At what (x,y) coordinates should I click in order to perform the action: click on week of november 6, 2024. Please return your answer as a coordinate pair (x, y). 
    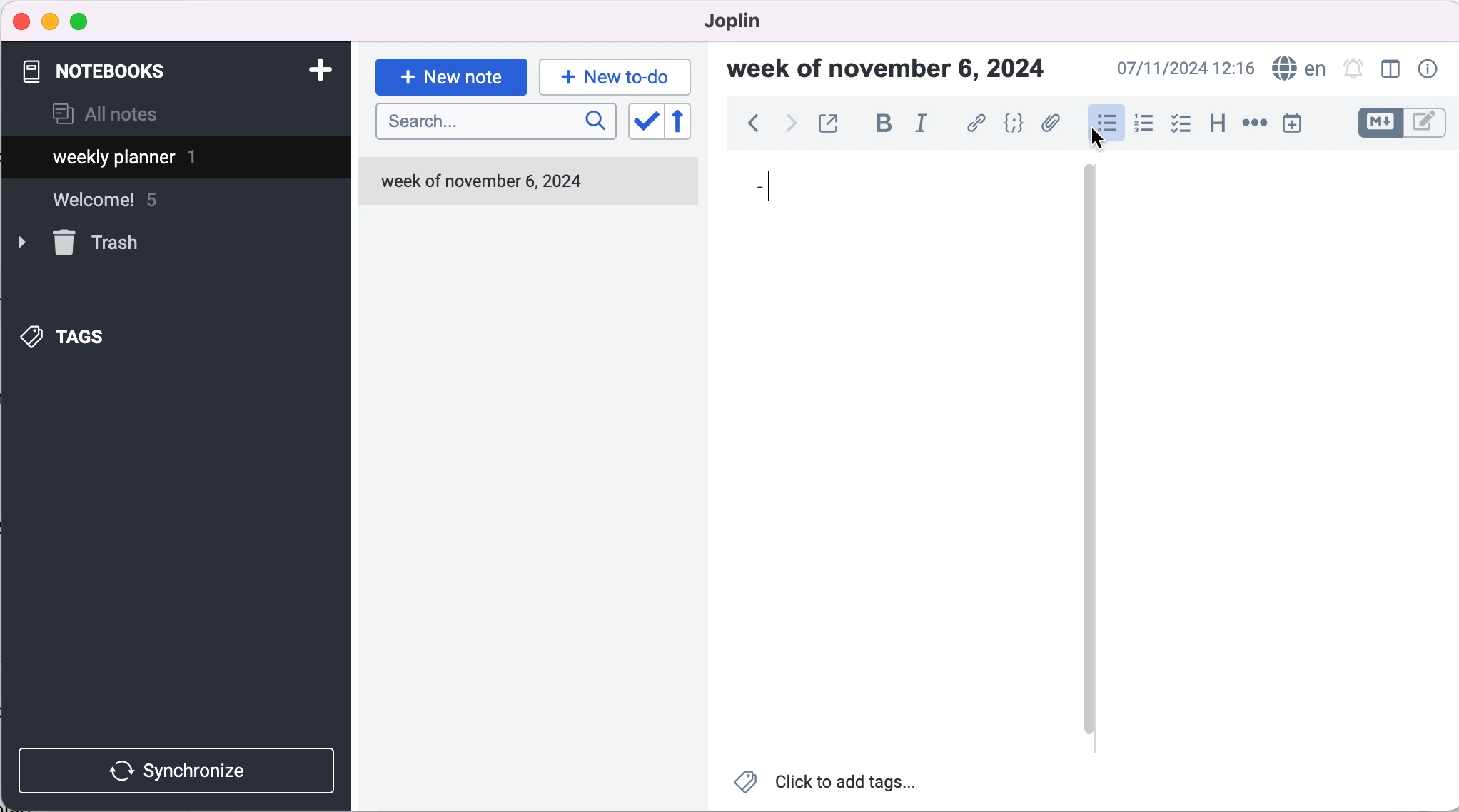
    Looking at the image, I should click on (894, 71).